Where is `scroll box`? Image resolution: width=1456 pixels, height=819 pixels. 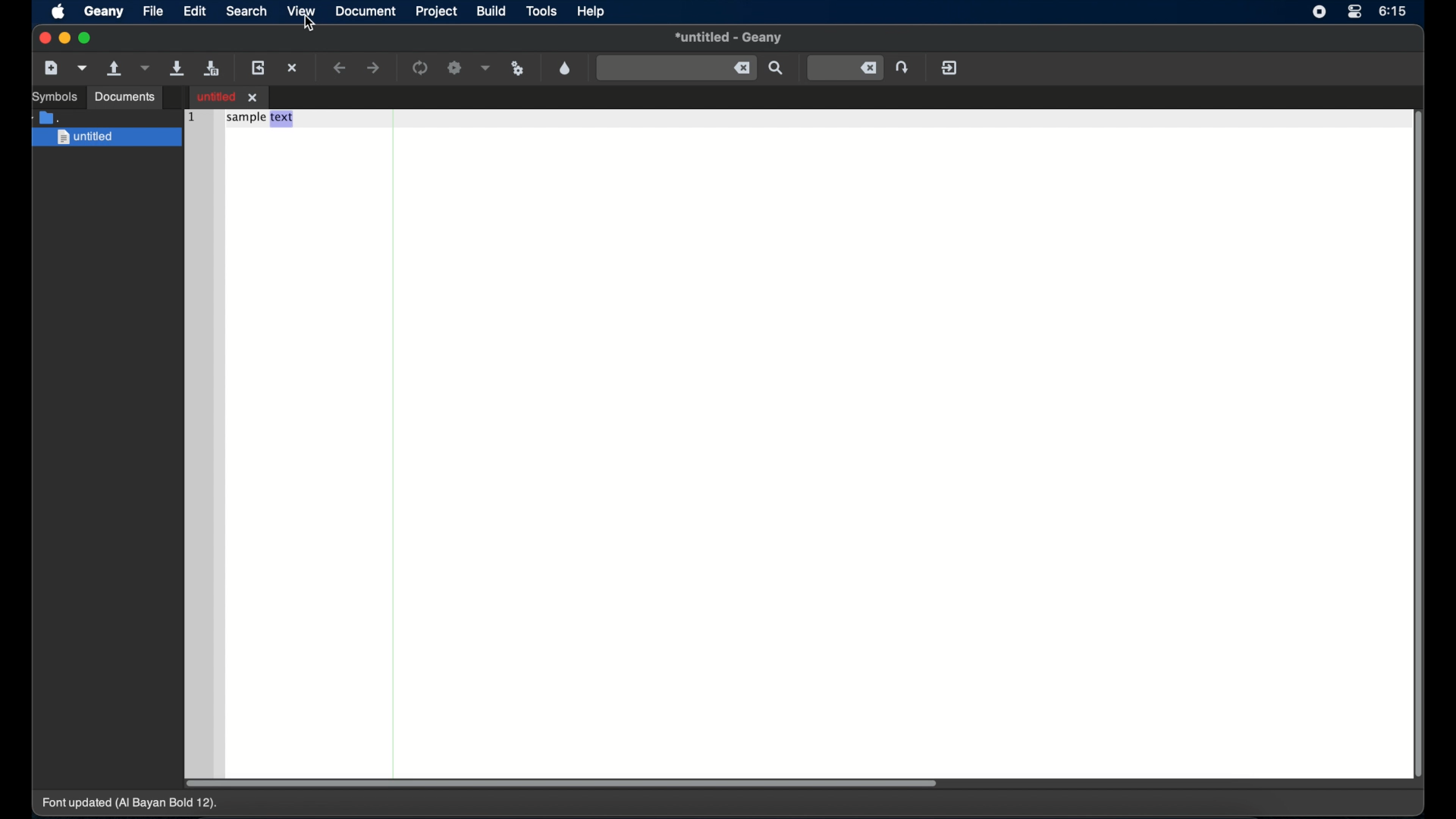 scroll box is located at coordinates (561, 783).